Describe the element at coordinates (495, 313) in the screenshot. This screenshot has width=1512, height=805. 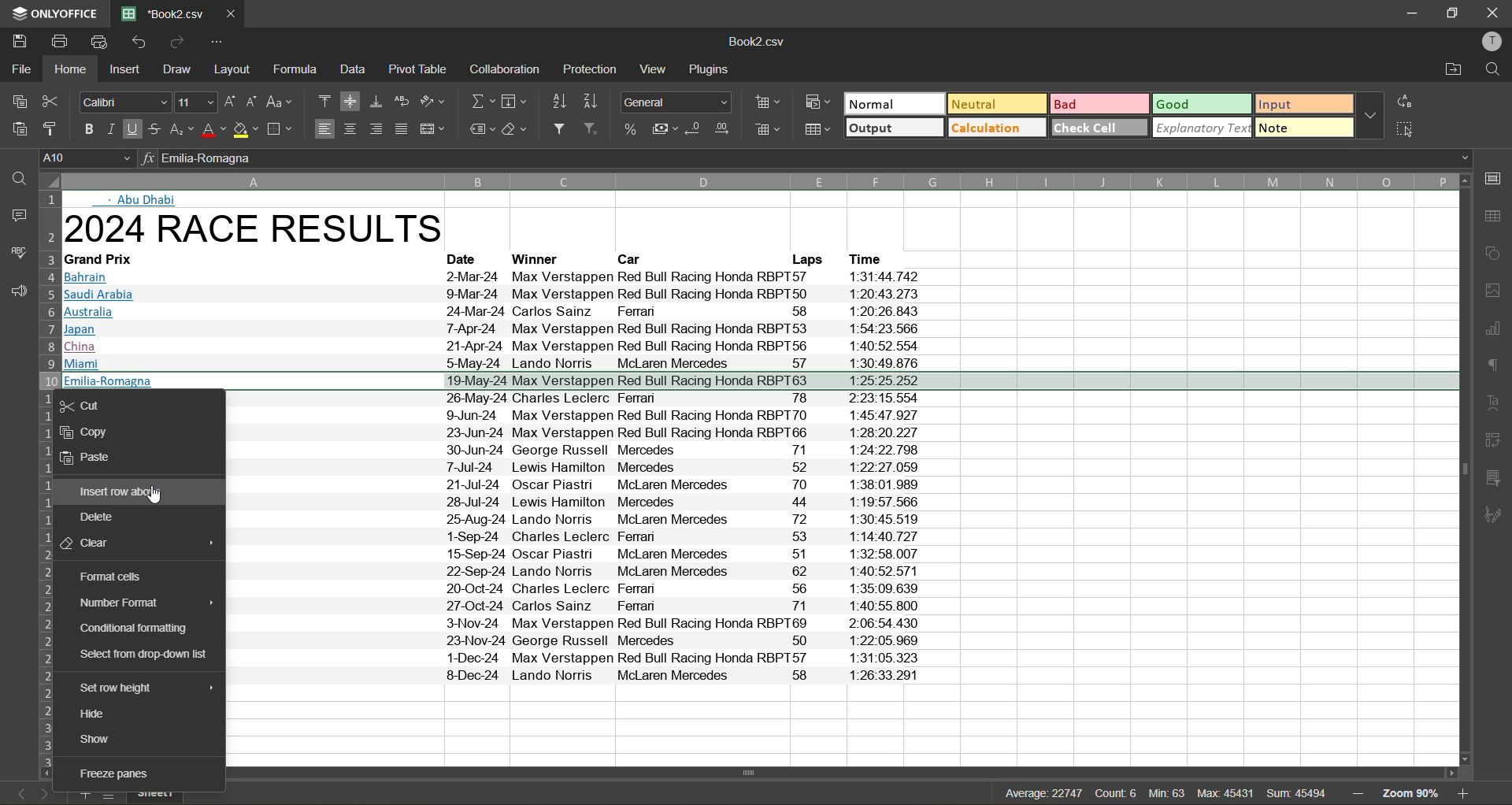
I see `Australia 24-Mar-24 Carlos Sainz ~~ Feman 58 1:20:26.843` at that location.